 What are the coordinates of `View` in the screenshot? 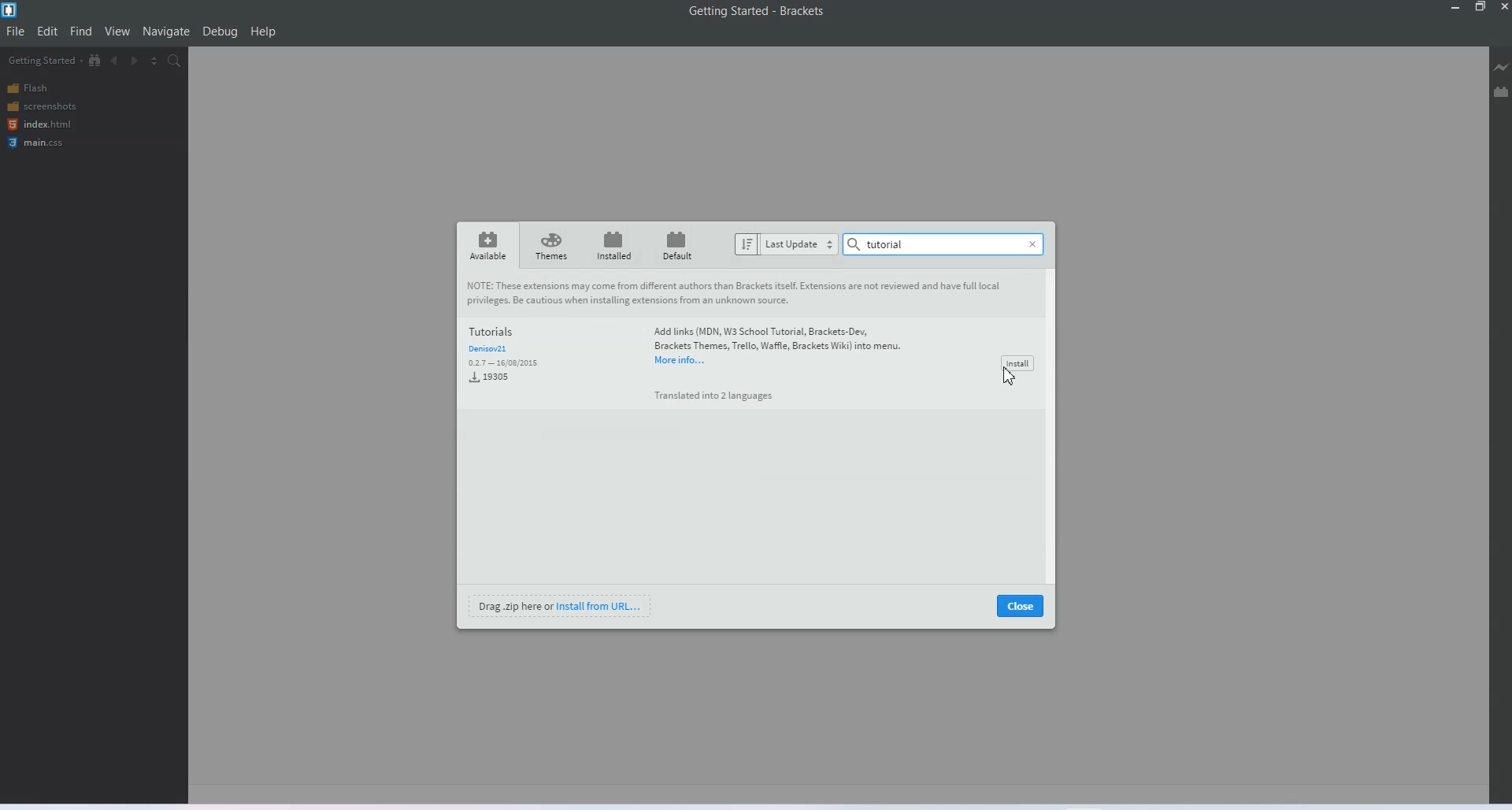 It's located at (118, 32).